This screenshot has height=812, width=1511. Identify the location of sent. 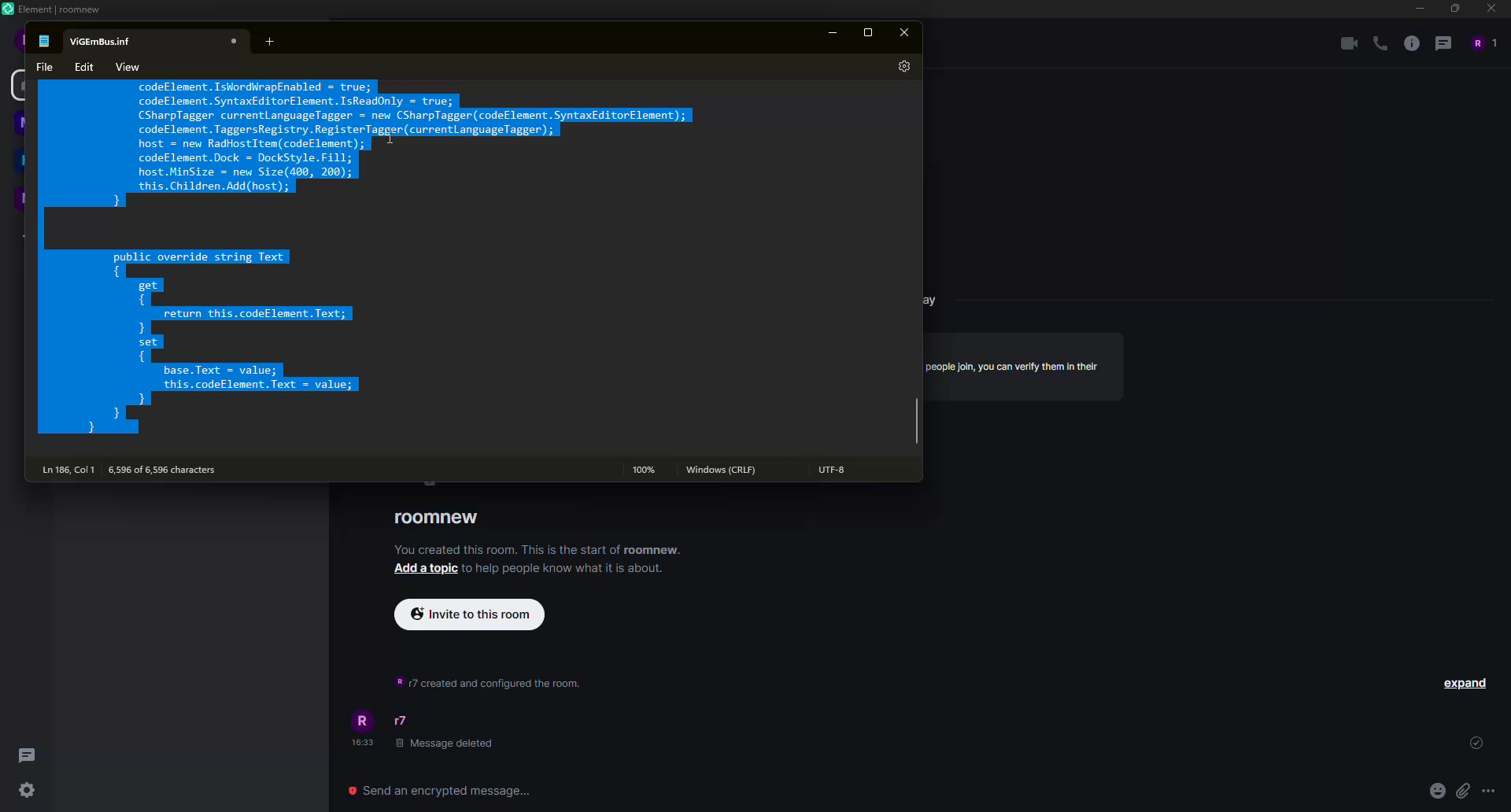
(1474, 744).